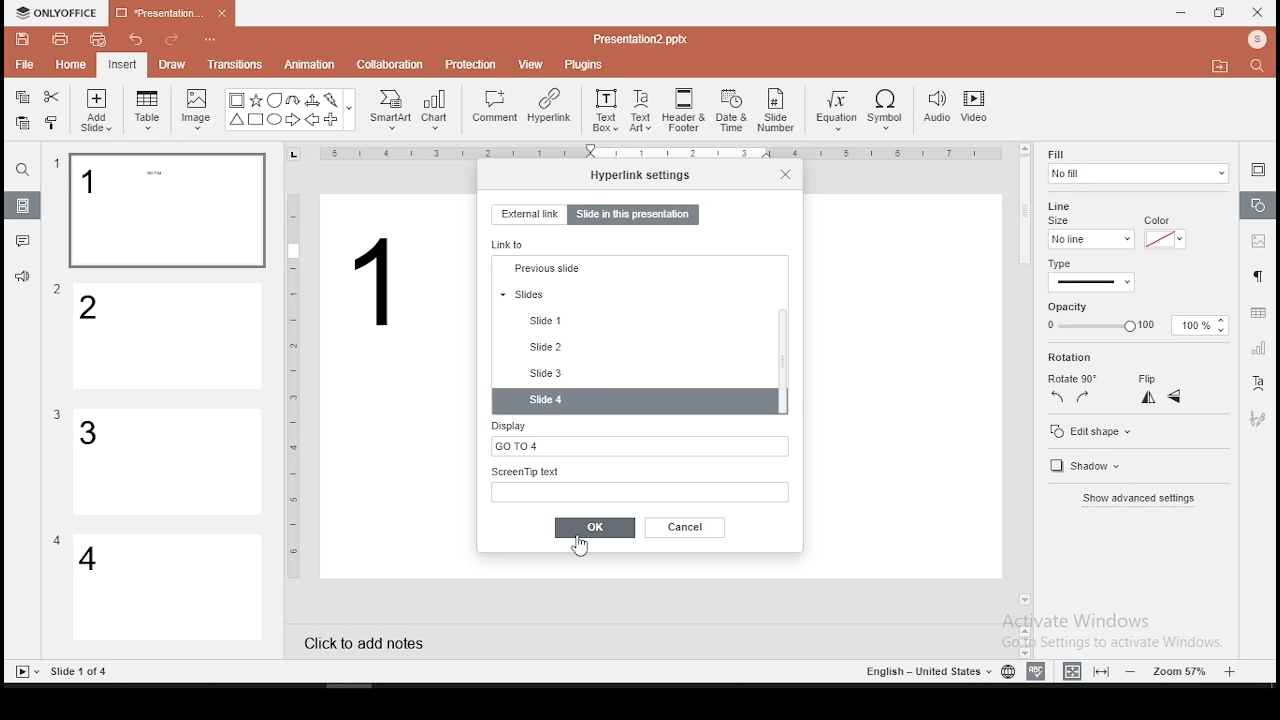 This screenshot has width=1280, height=720. What do you see at coordinates (634, 294) in the screenshot?
I see `last slide` at bounding box center [634, 294].